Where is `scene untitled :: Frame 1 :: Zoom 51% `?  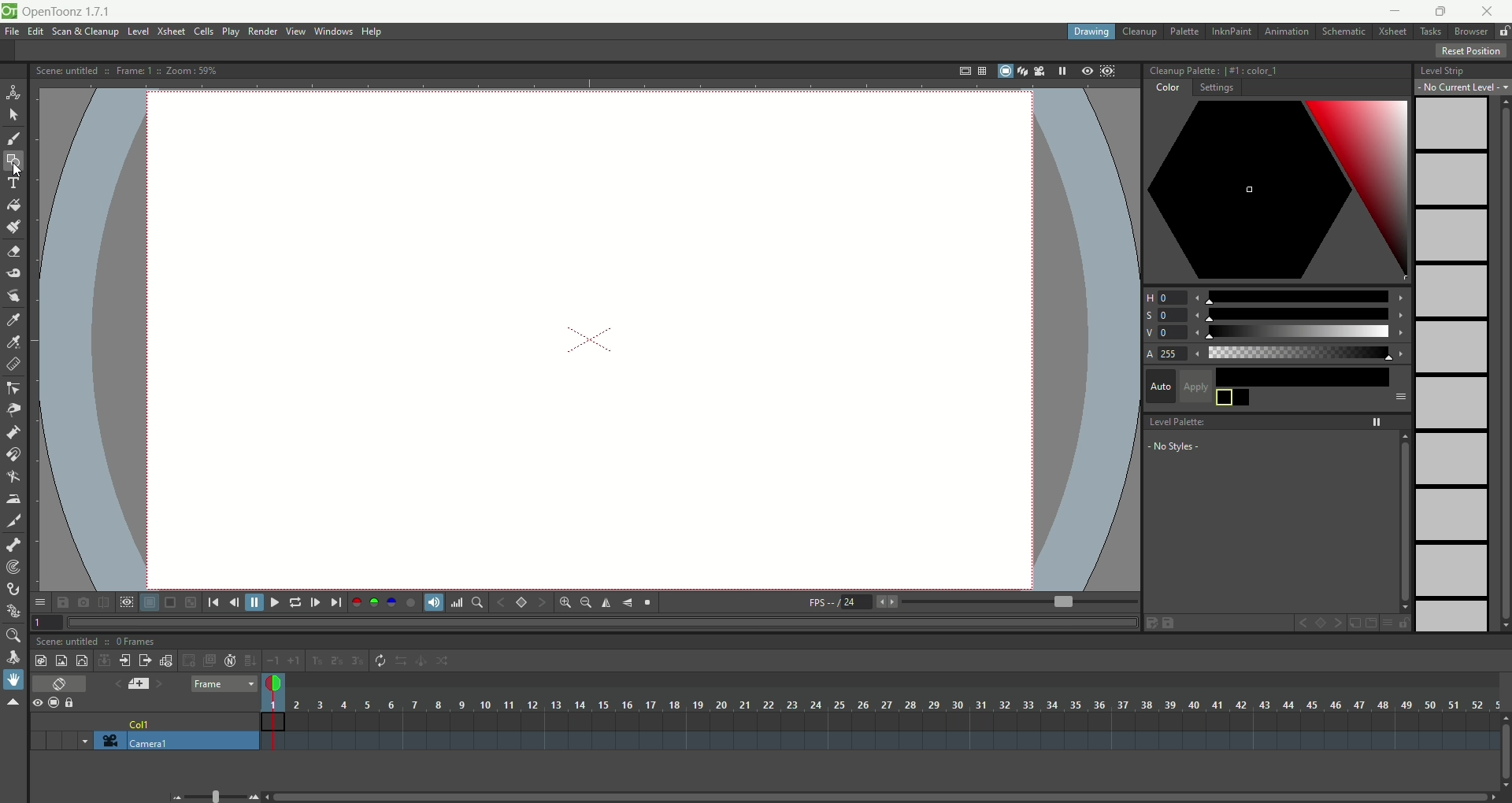 scene untitled :: Frame 1 :: Zoom 51%  is located at coordinates (127, 72).